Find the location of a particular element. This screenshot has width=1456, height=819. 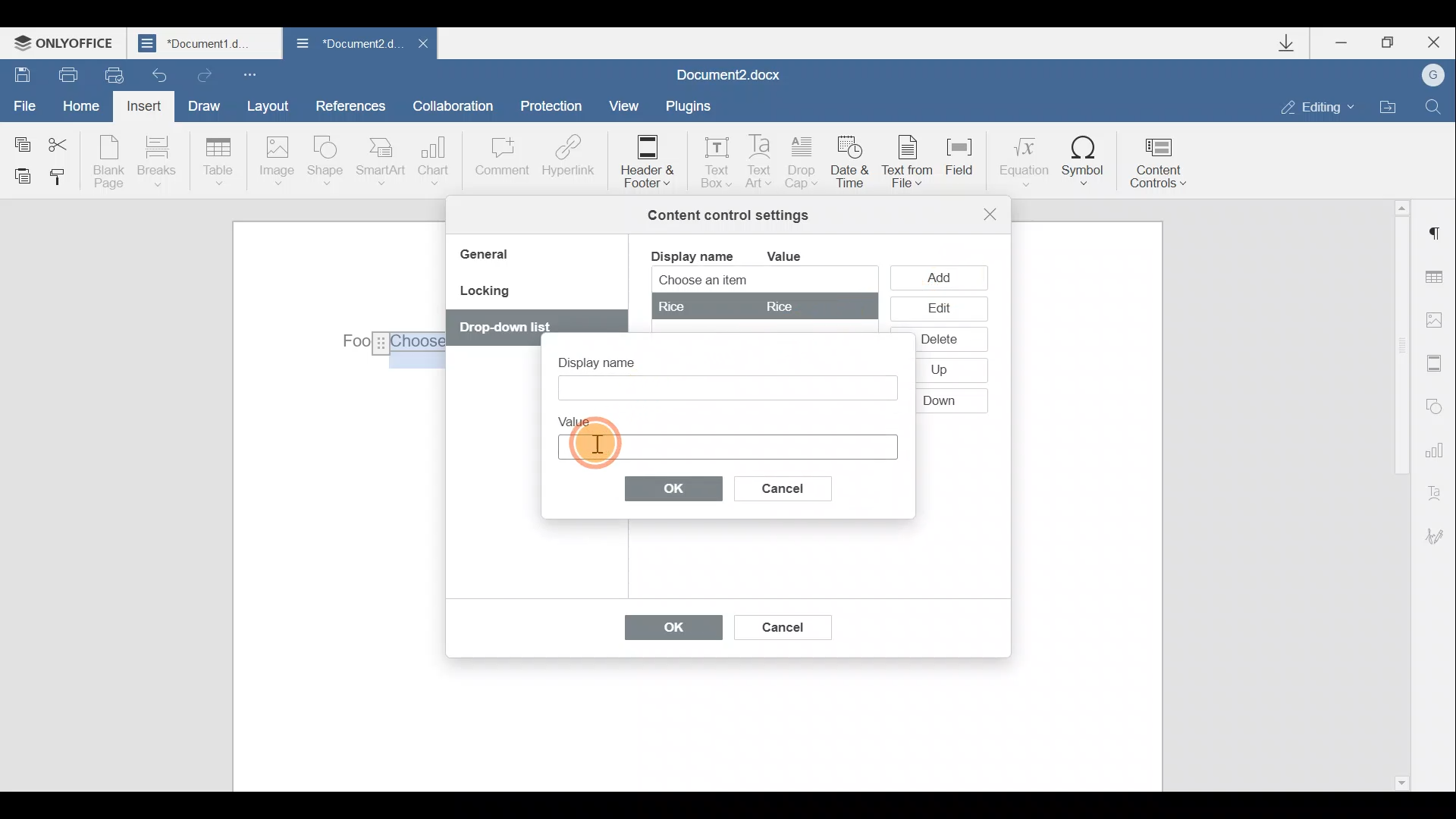

Cut is located at coordinates (67, 142).